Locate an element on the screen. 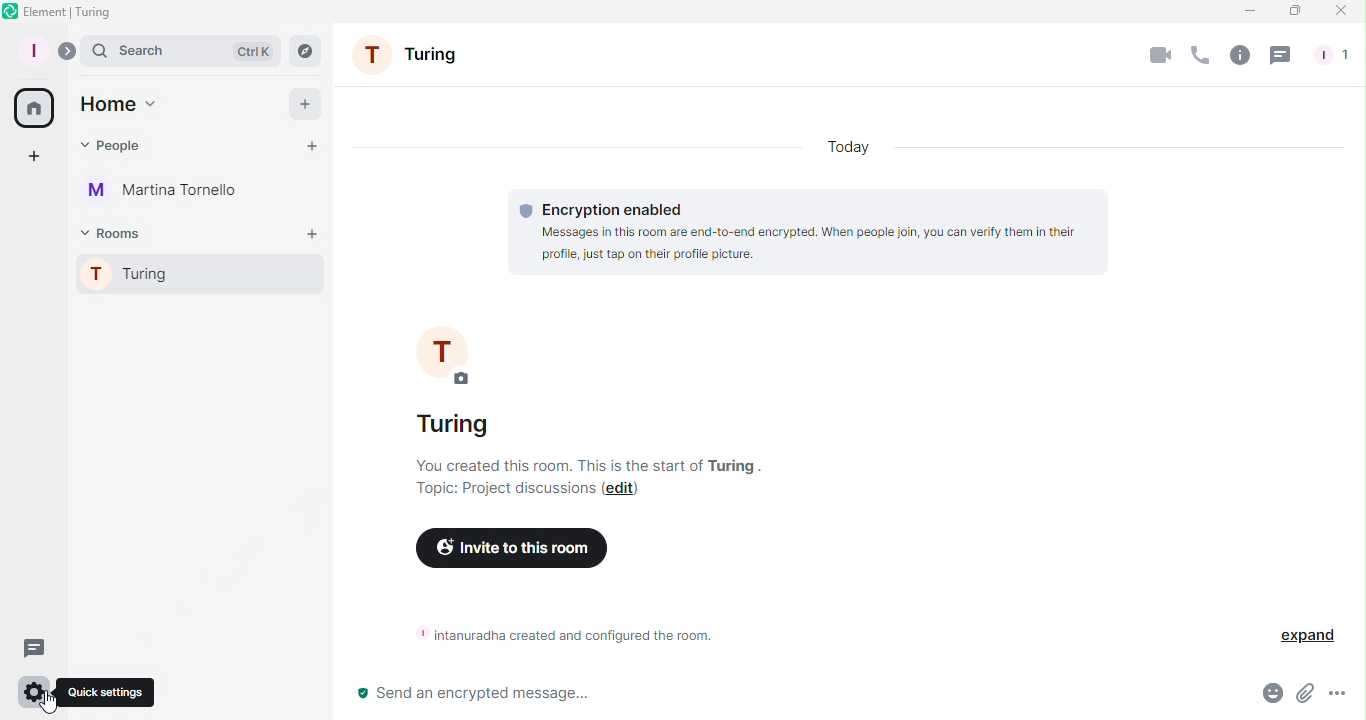  More options is located at coordinates (1339, 697).